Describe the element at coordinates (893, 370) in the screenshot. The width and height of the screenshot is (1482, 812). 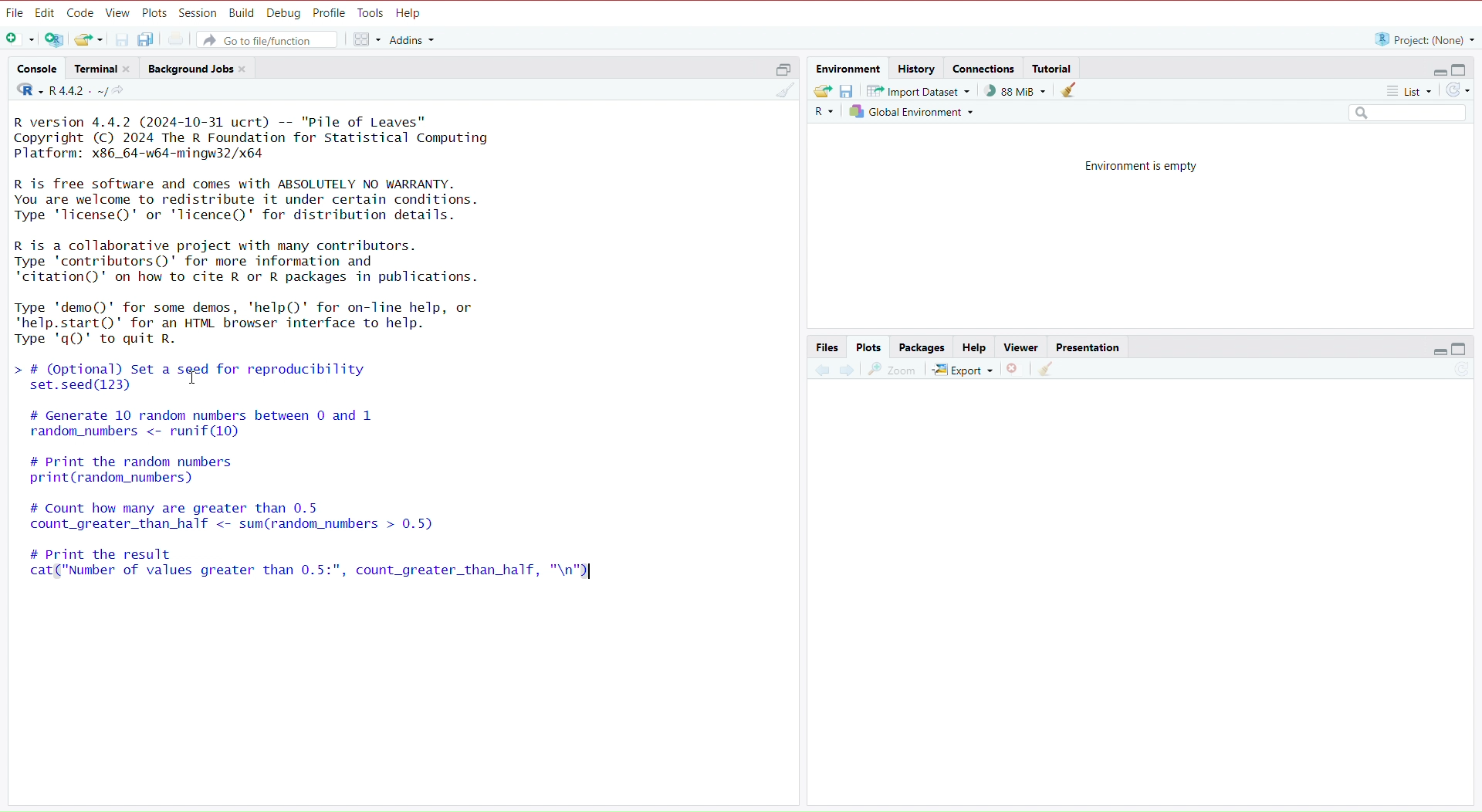
I see `Zoom` at that location.